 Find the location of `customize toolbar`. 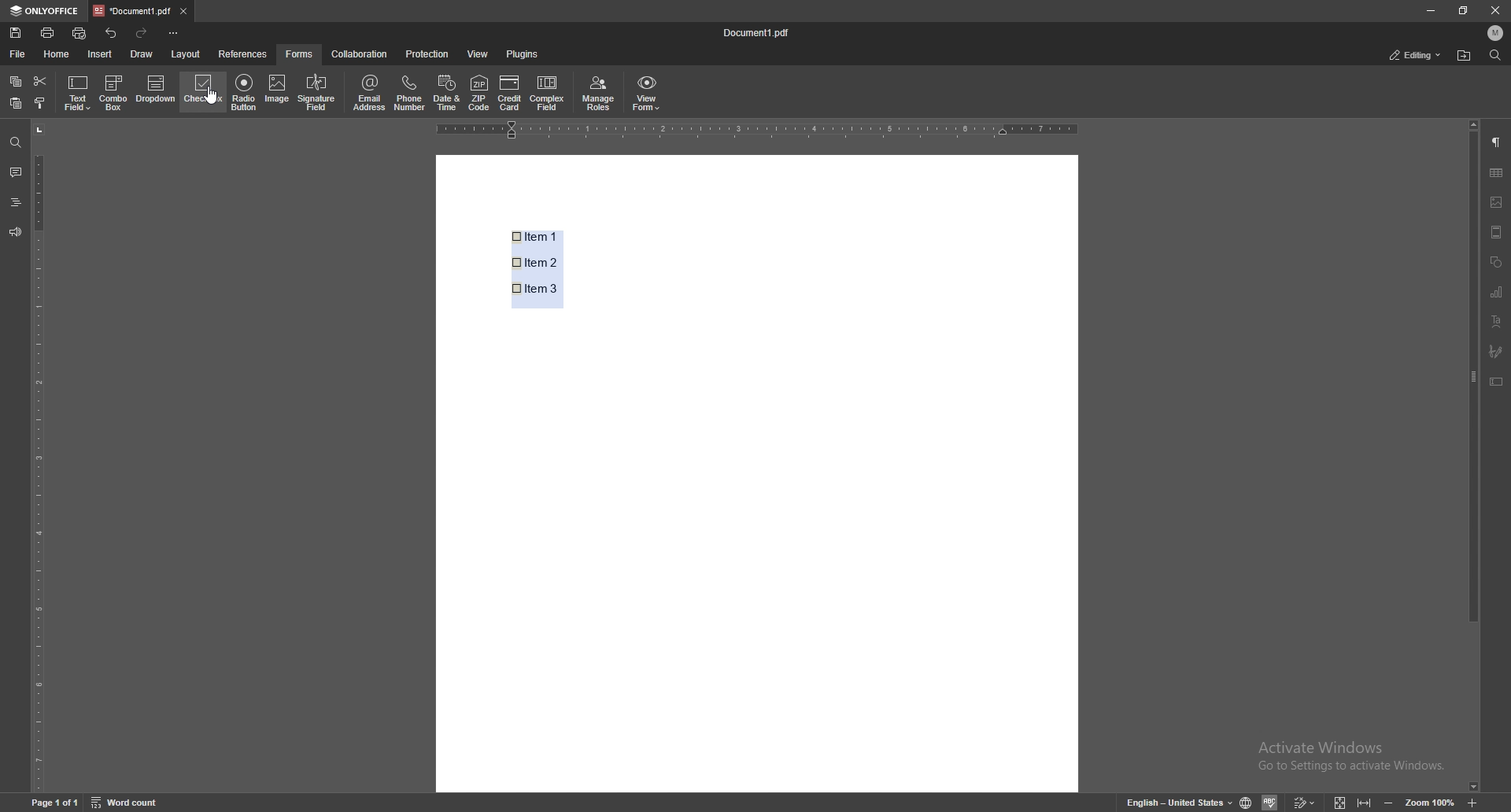

customize toolbar is located at coordinates (174, 34).